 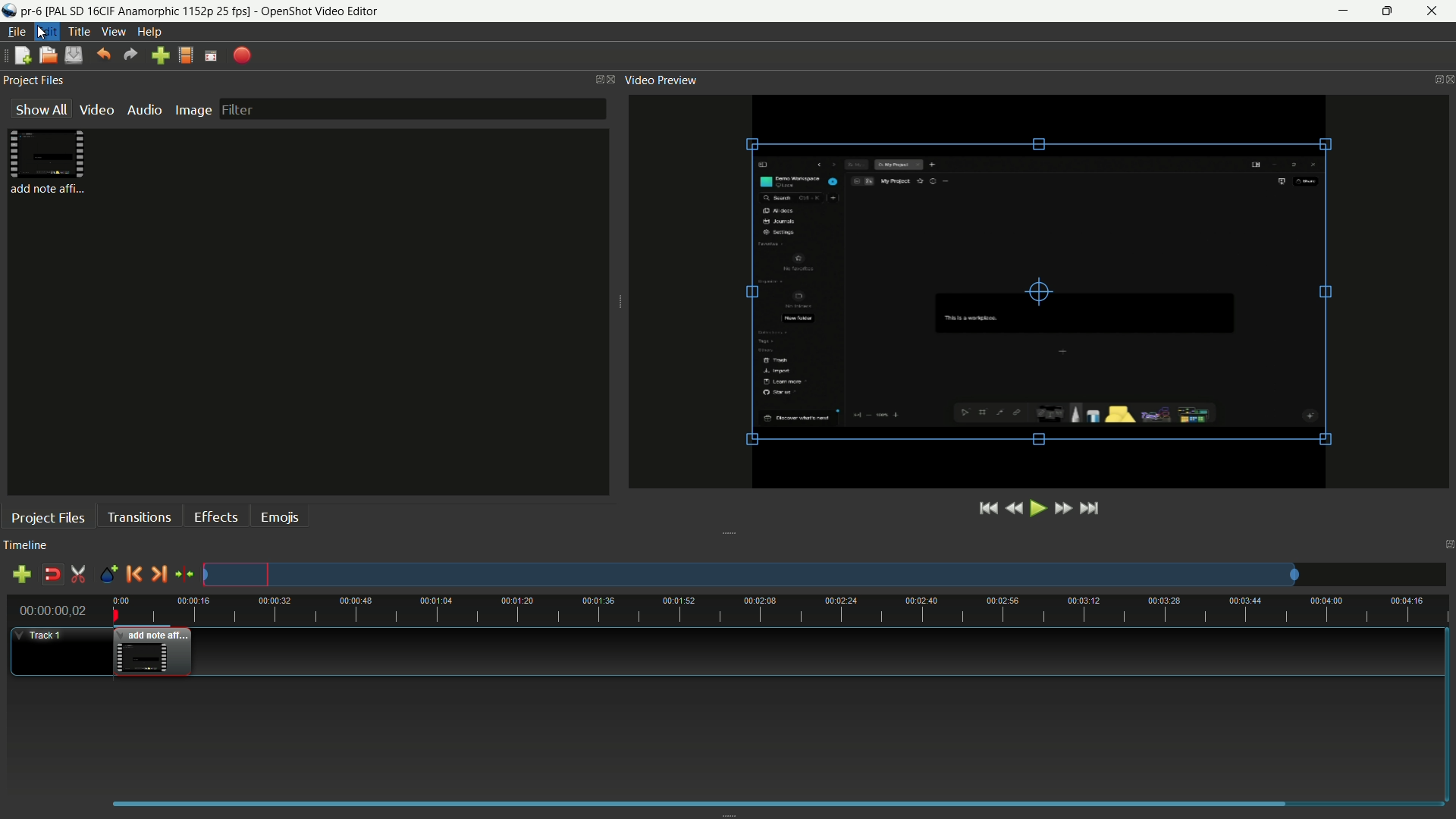 I want to click on title menu, so click(x=79, y=33).